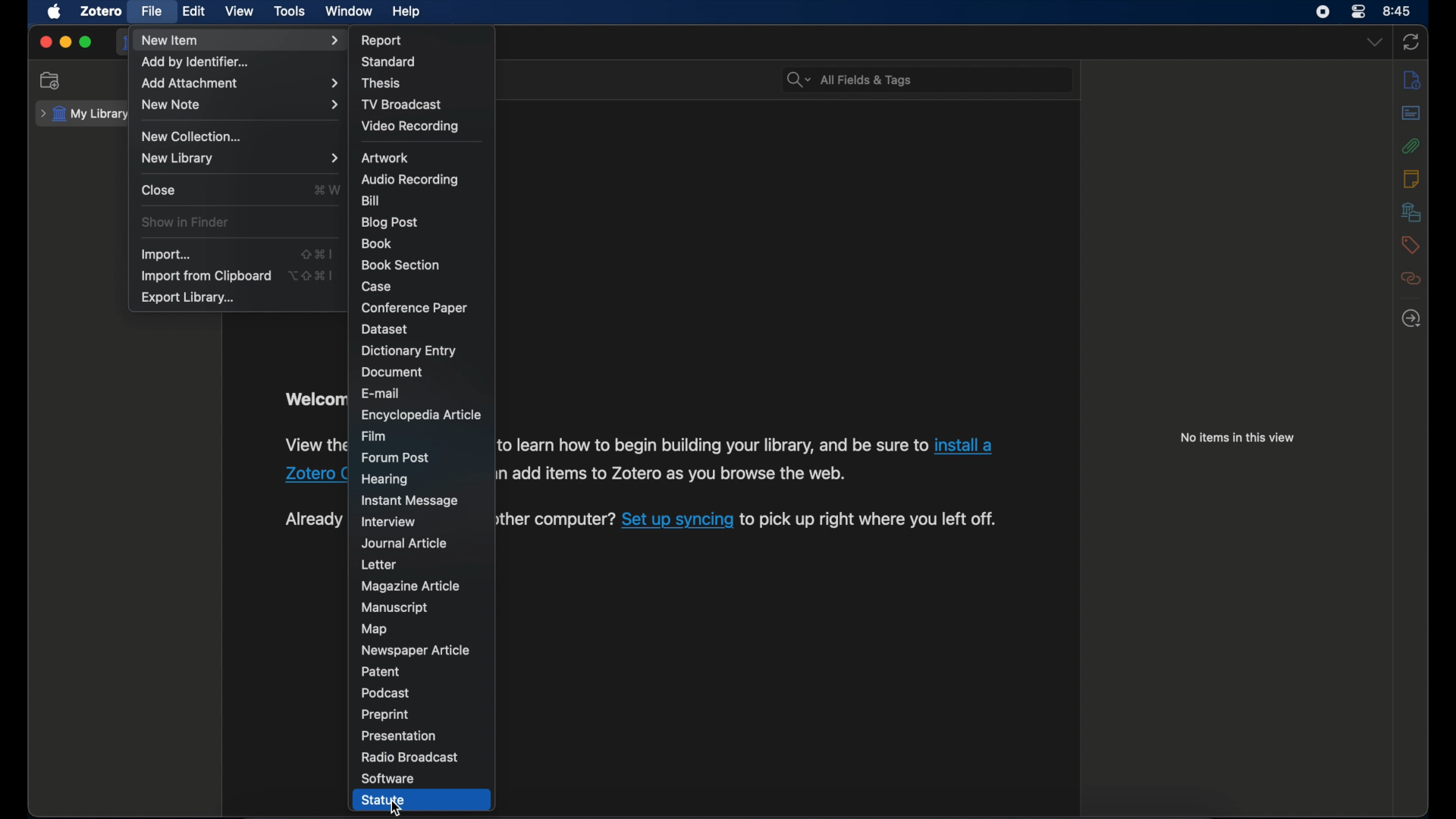 This screenshot has height=819, width=1456. What do you see at coordinates (192, 12) in the screenshot?
I see `edit` at bounding box center [192, 12].